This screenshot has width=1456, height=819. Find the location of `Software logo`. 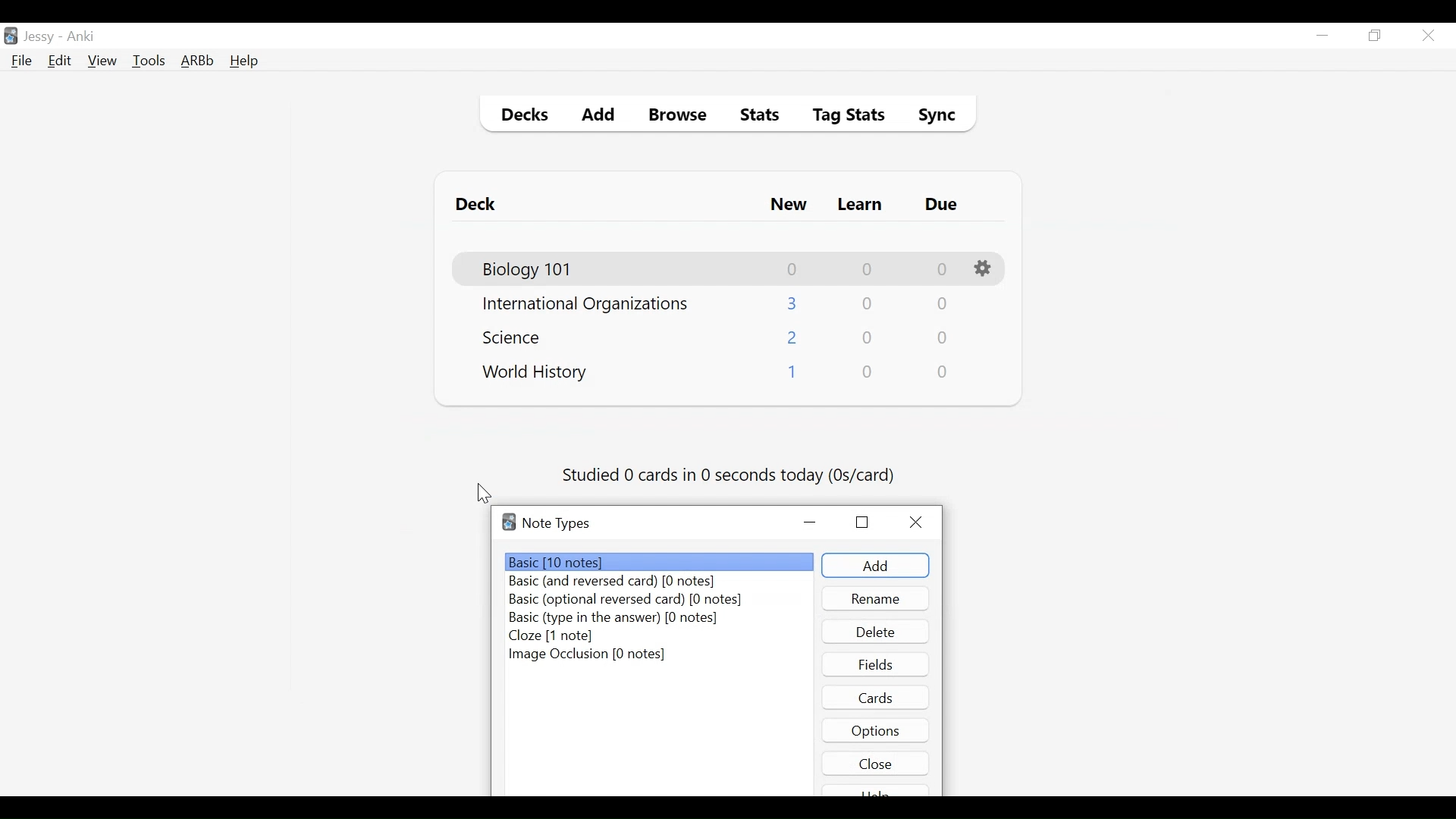

Software logo is located at coordinates (509, 522).